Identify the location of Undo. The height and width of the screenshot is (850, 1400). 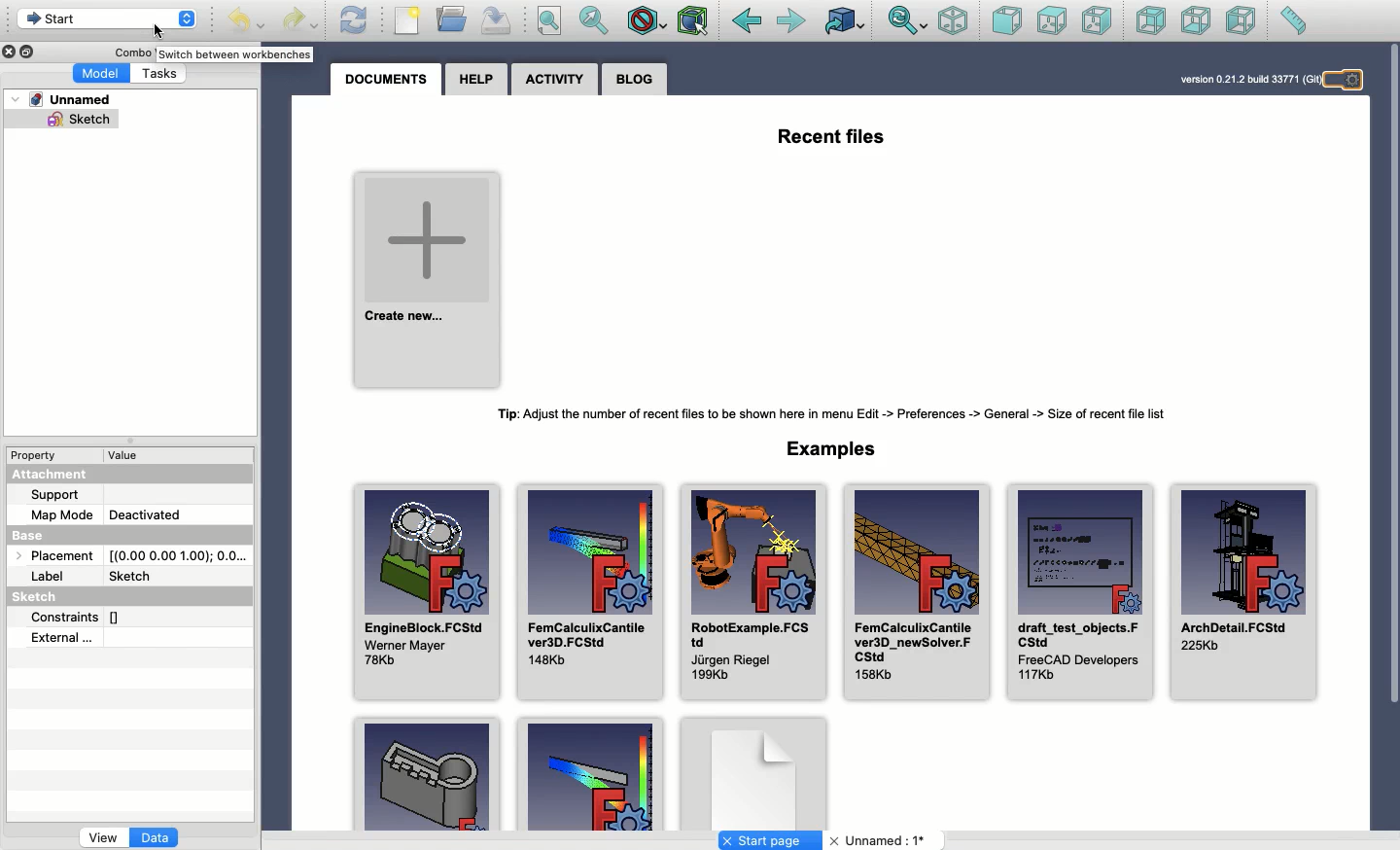
(246, 22).